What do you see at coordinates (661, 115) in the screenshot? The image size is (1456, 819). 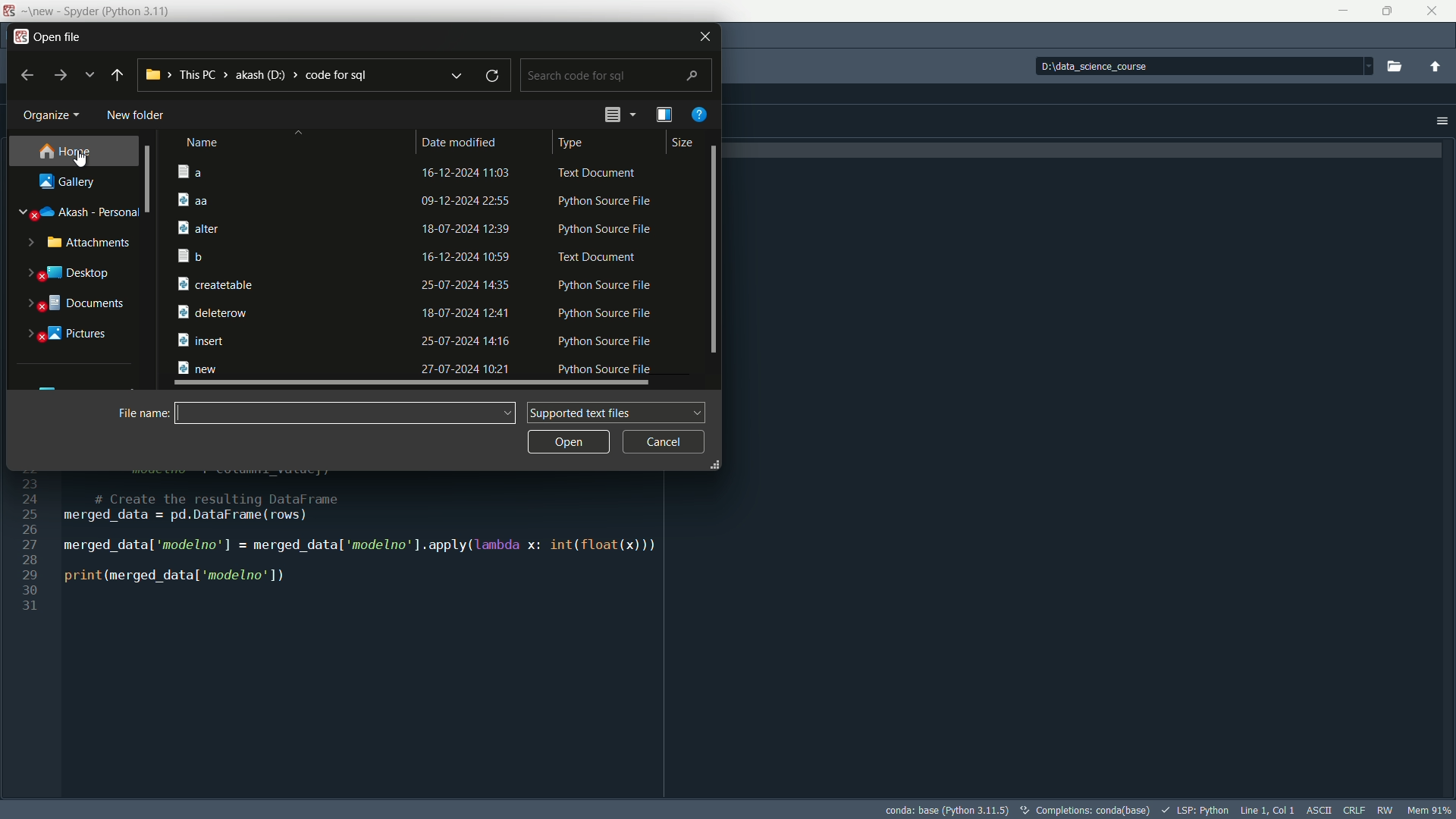 I see `preview pane` at bounding box center [661, 115].